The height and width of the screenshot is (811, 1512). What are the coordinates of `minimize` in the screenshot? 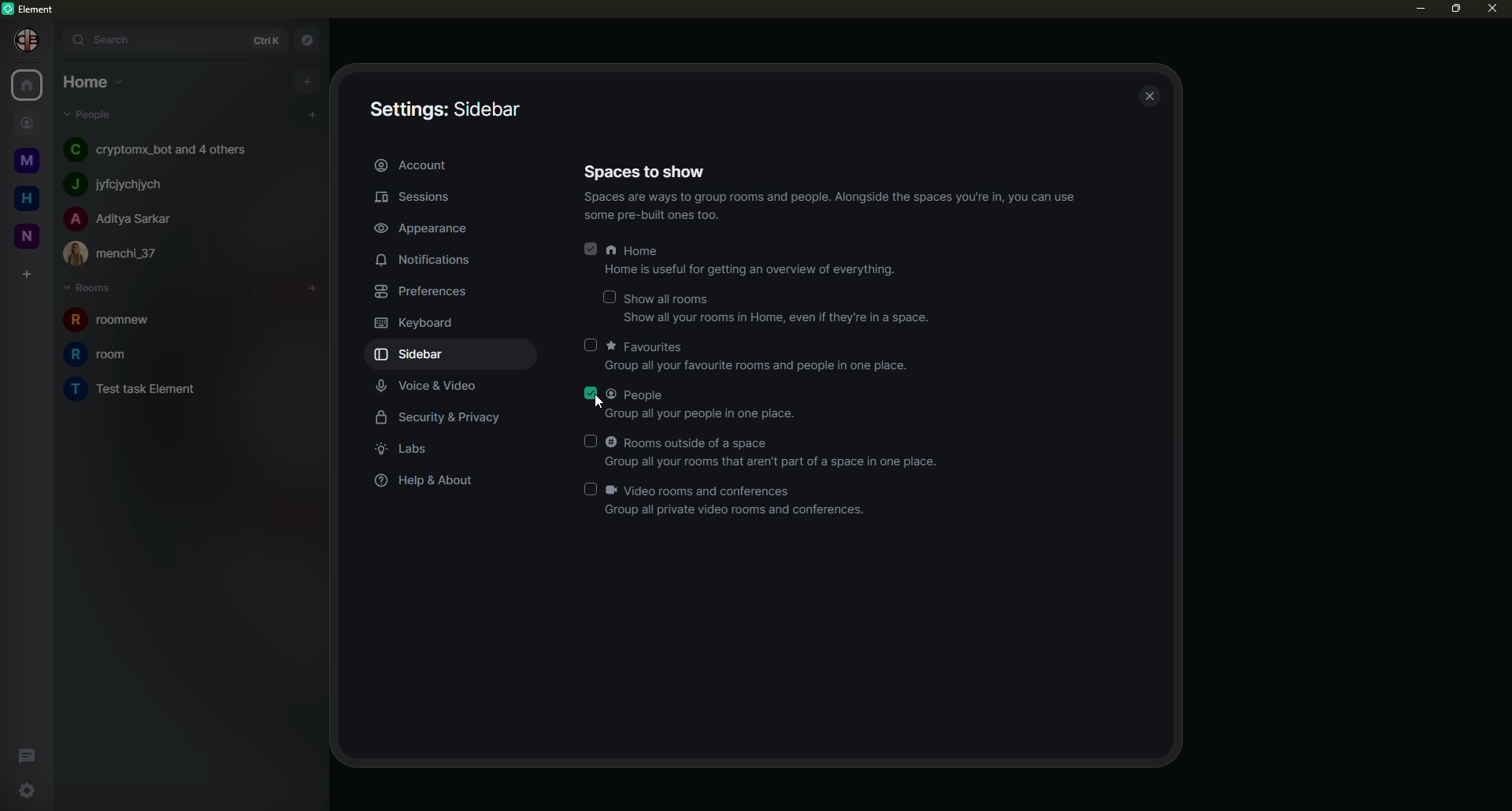 It's located at (1414, 8).